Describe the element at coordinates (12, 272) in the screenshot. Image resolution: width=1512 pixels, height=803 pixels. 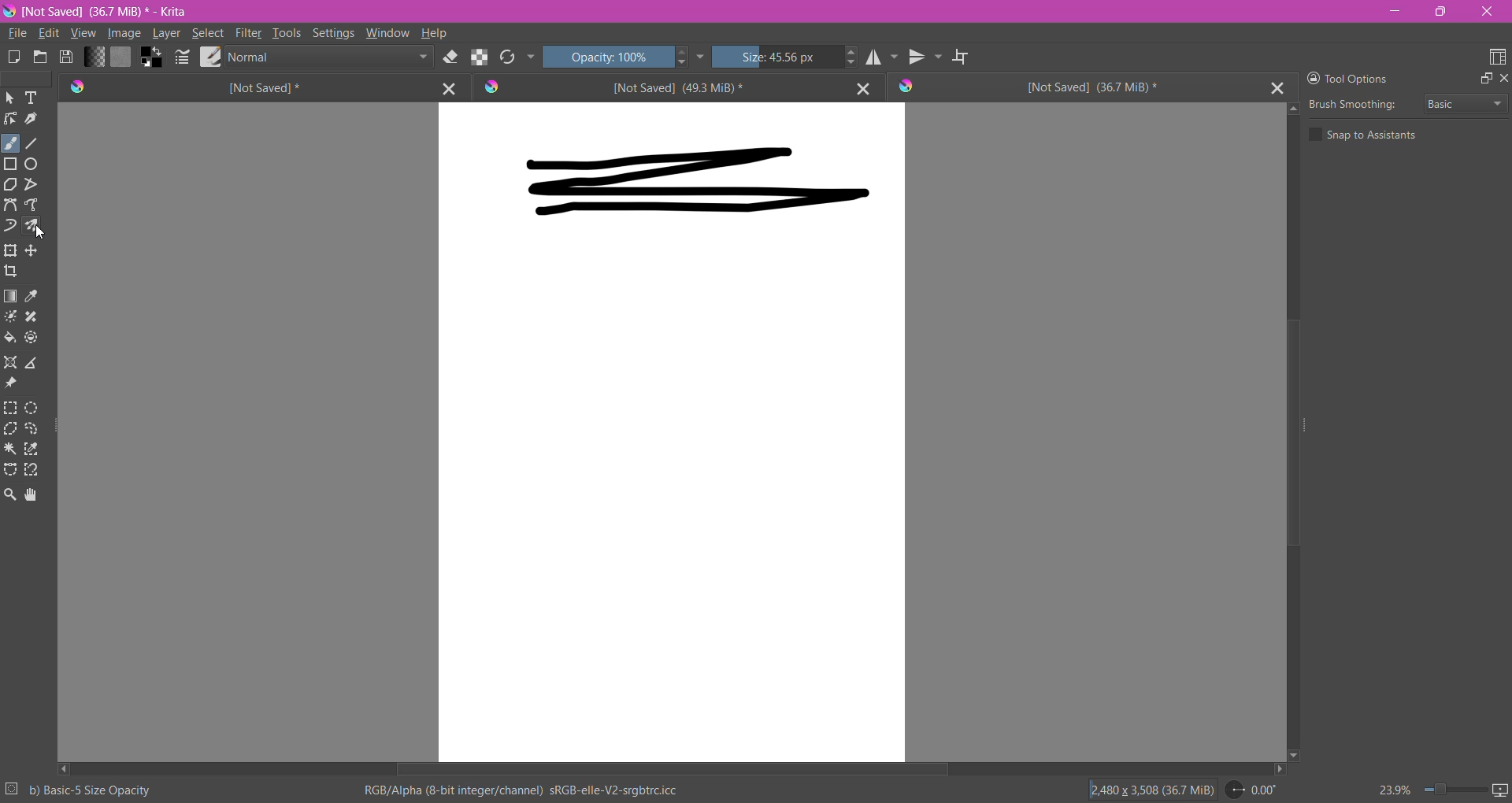
I see `Crop the image to an area` at that location.